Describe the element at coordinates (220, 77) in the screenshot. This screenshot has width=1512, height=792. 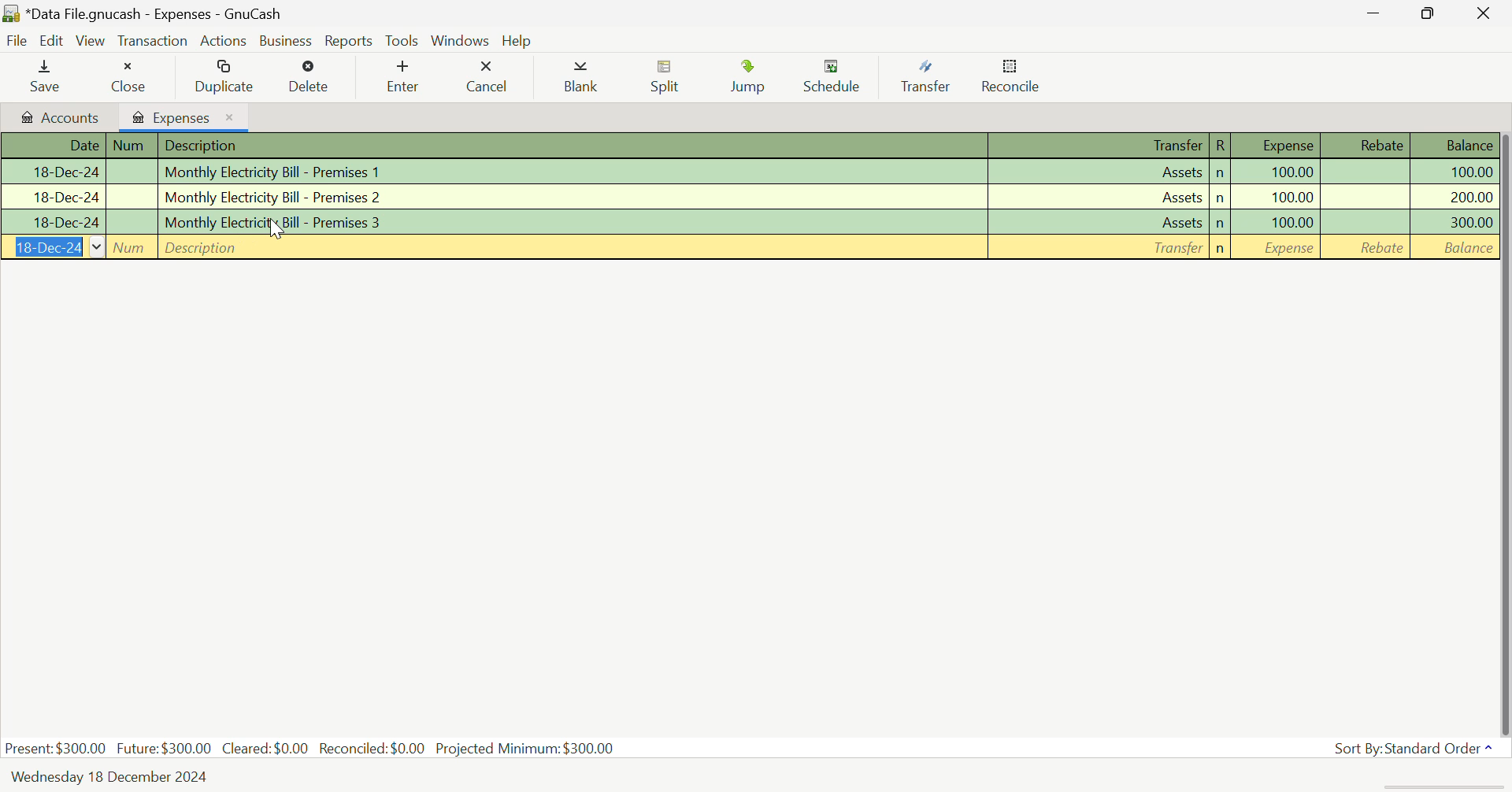
I see `Duplicate` at that location.